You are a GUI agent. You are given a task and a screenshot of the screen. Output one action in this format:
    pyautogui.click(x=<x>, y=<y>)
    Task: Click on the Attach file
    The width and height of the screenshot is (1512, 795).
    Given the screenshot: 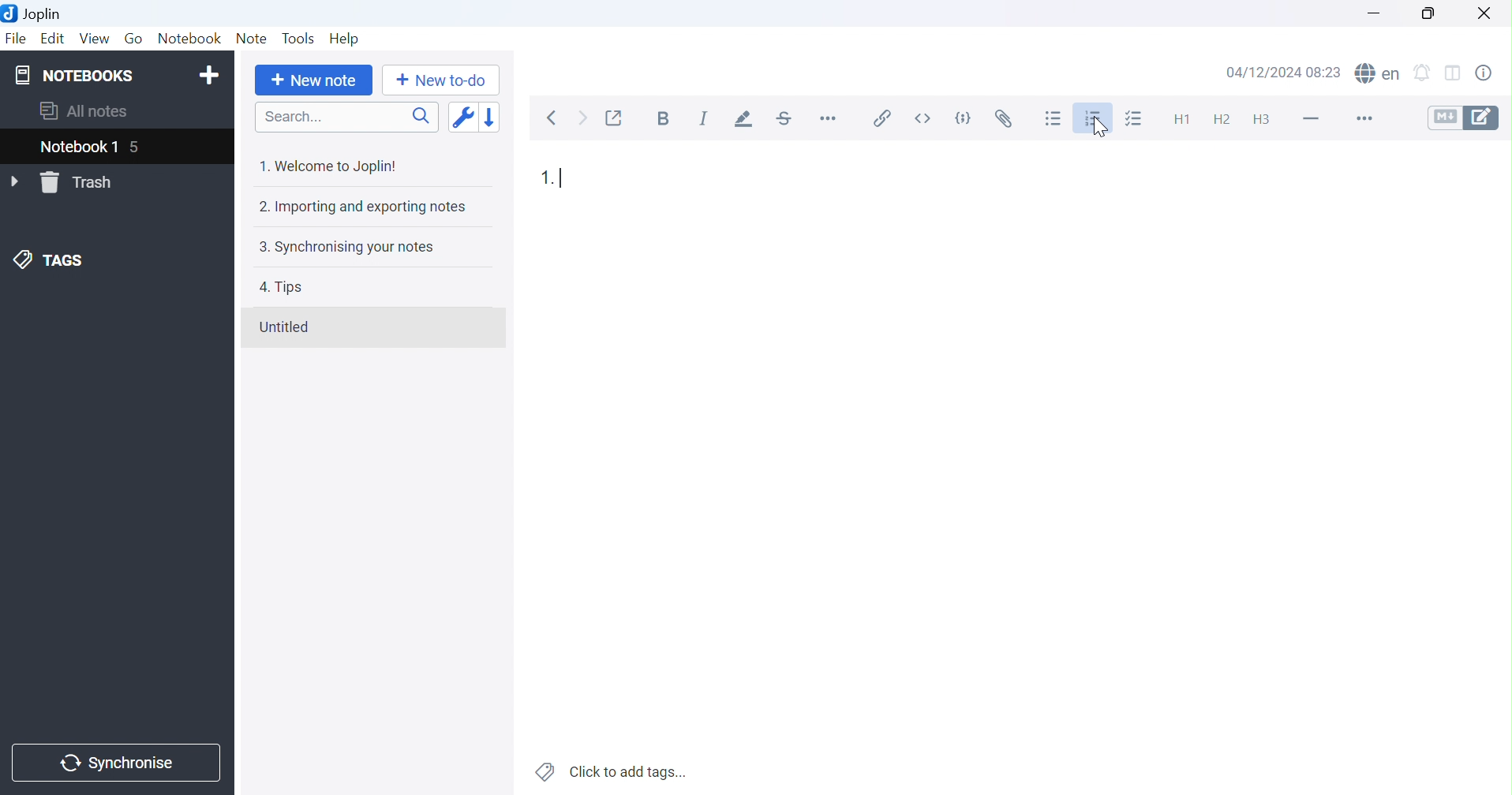 What is the action you would take?
    pyautogui.click(x=1003, y=119)
    